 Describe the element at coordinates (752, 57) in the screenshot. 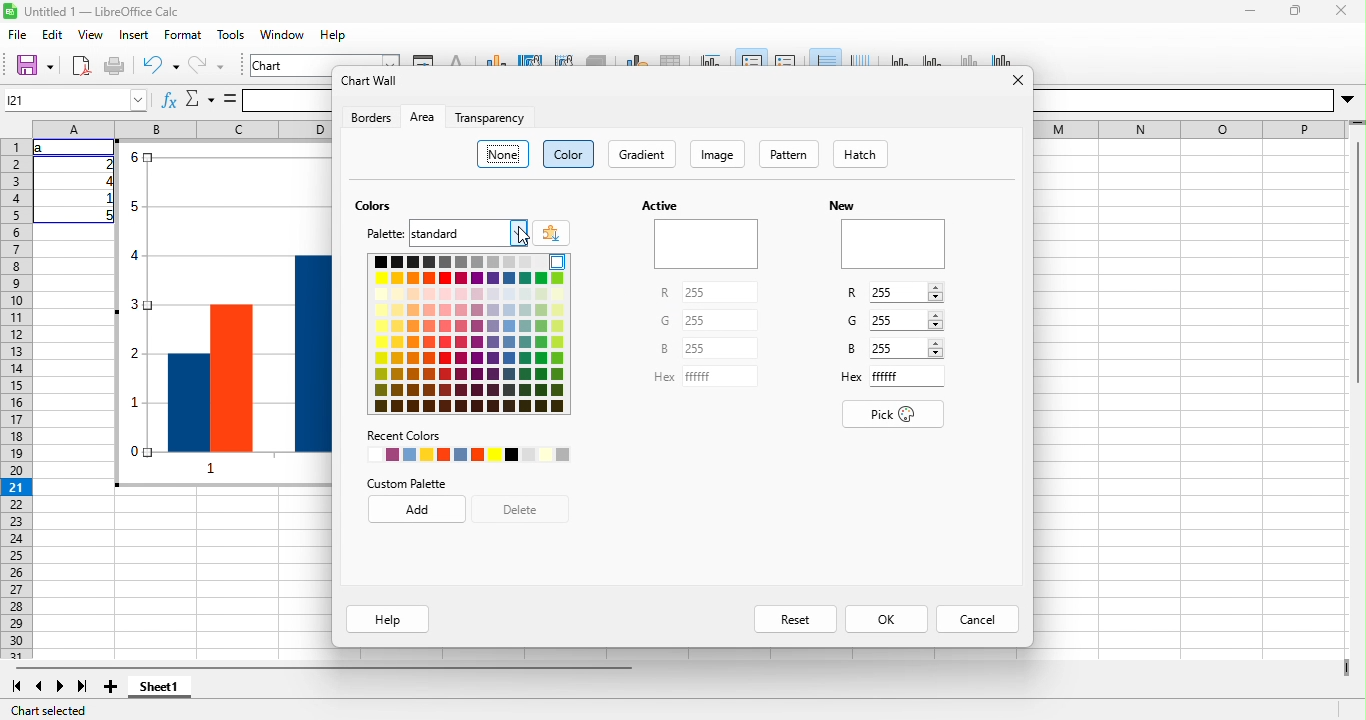

I see `legend on/off` at that location.